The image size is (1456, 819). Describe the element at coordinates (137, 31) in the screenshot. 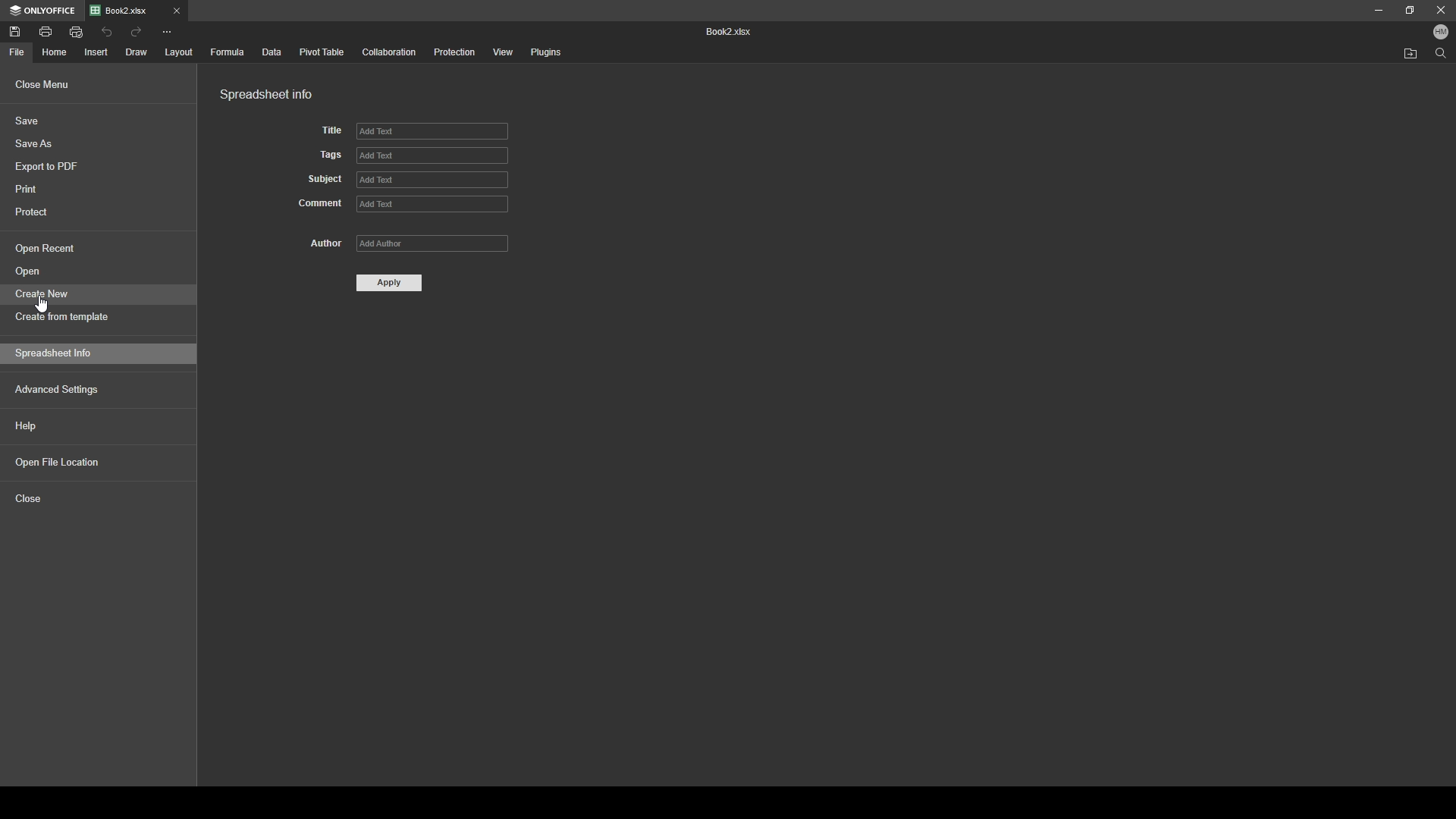

I see `redo` at that location.